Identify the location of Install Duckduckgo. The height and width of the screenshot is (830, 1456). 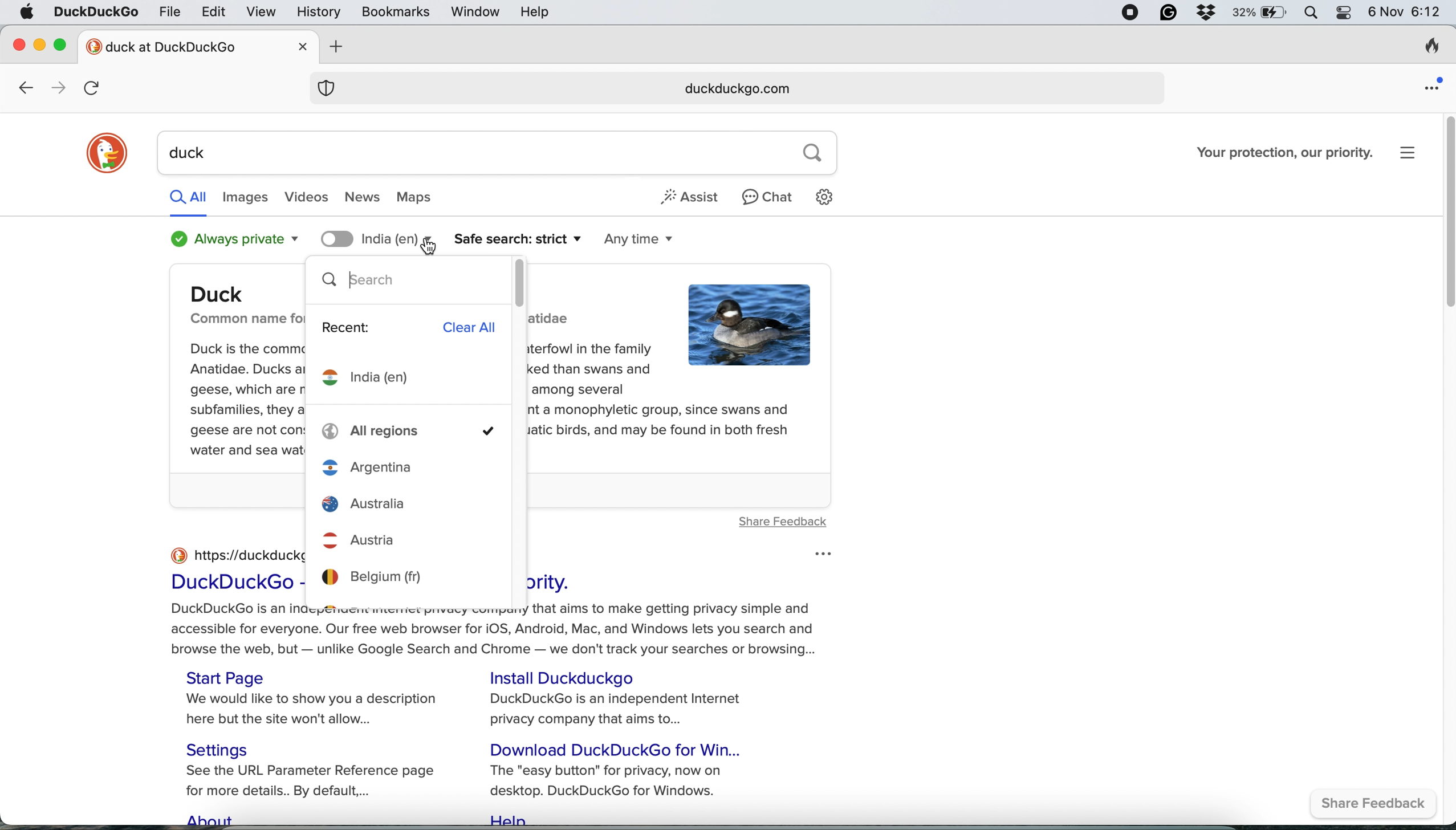
(570, 677).